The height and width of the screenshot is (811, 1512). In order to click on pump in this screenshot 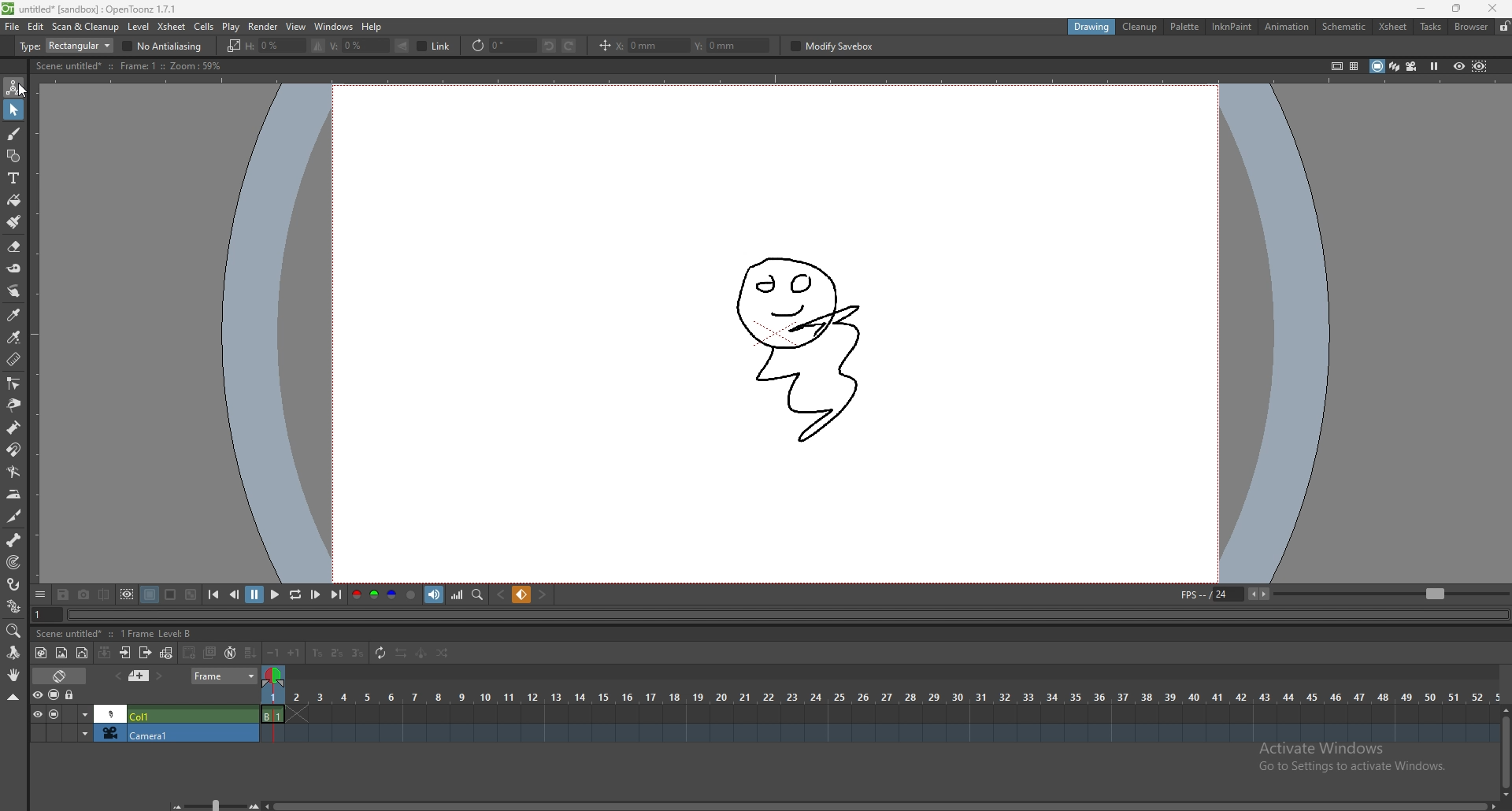, I will do `click(13, 428)`.